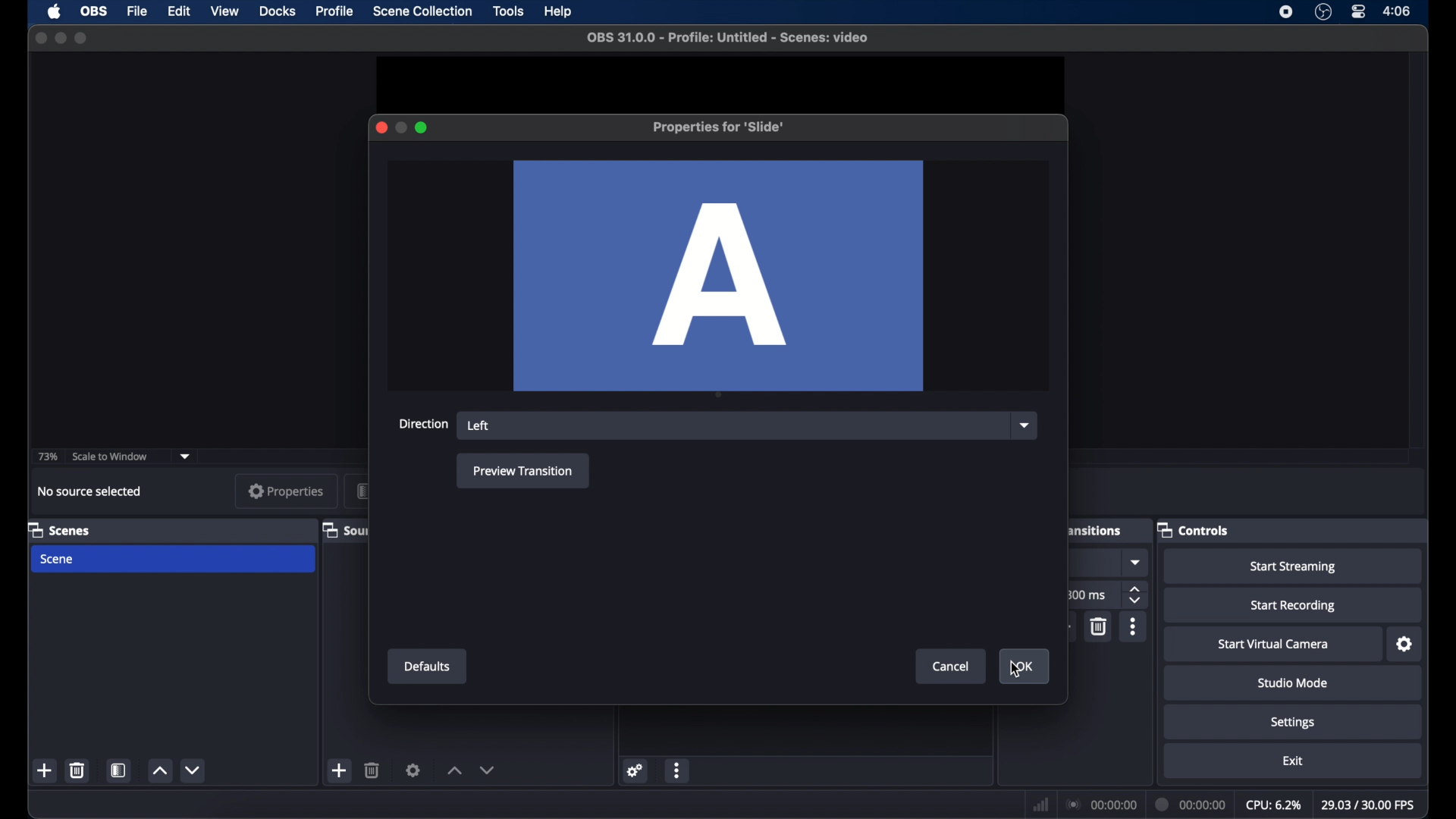 This screenshot has width=1456, height=819. I want to click on scale to window, so click(110, 455).